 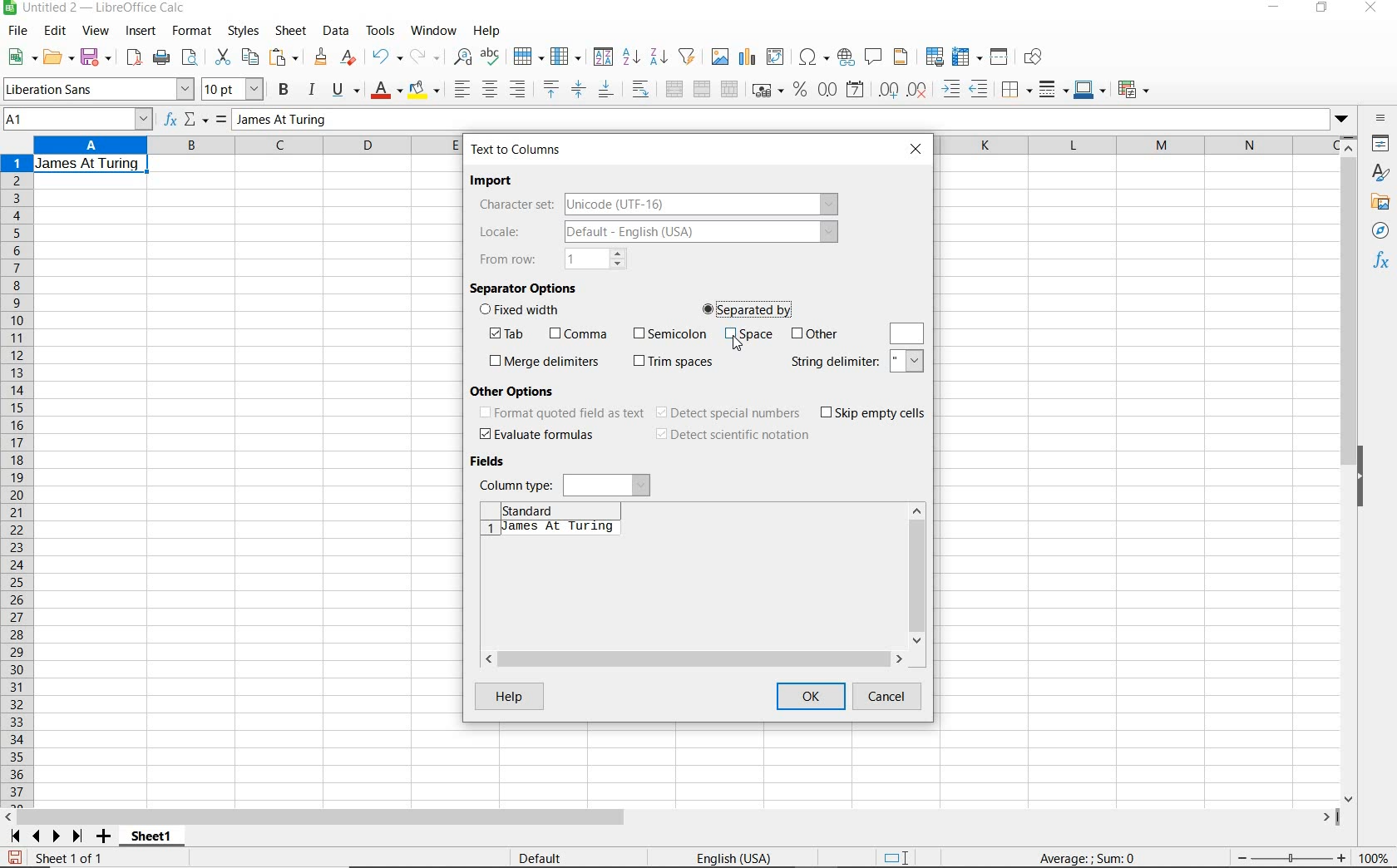 I want to click on view, so click(x=96, y=31).